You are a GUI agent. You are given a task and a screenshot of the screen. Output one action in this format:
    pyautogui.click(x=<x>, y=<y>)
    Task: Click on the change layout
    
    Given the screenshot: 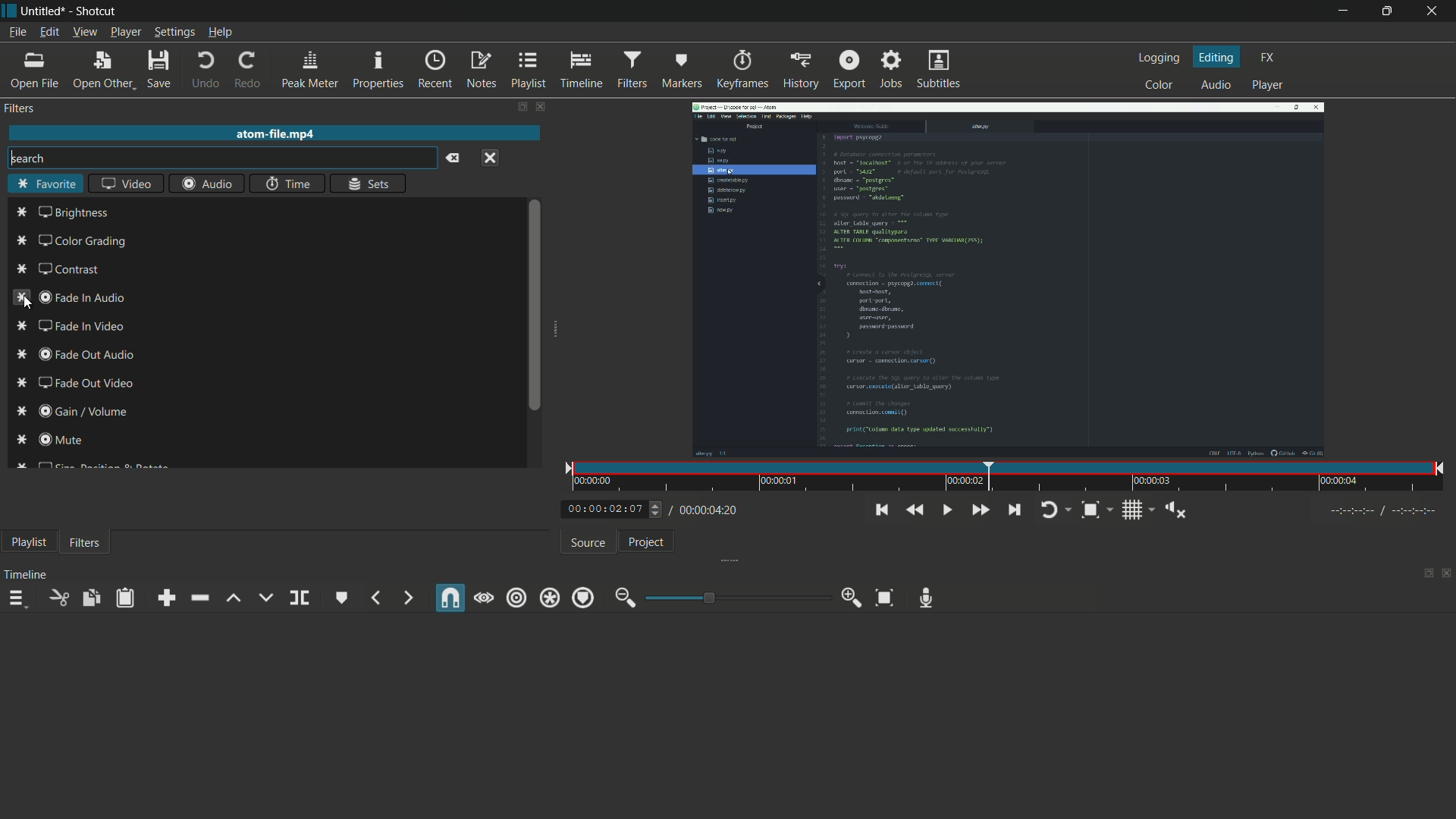 What is the action you would take?
    pyautogui.click(x=521, y=108)
    